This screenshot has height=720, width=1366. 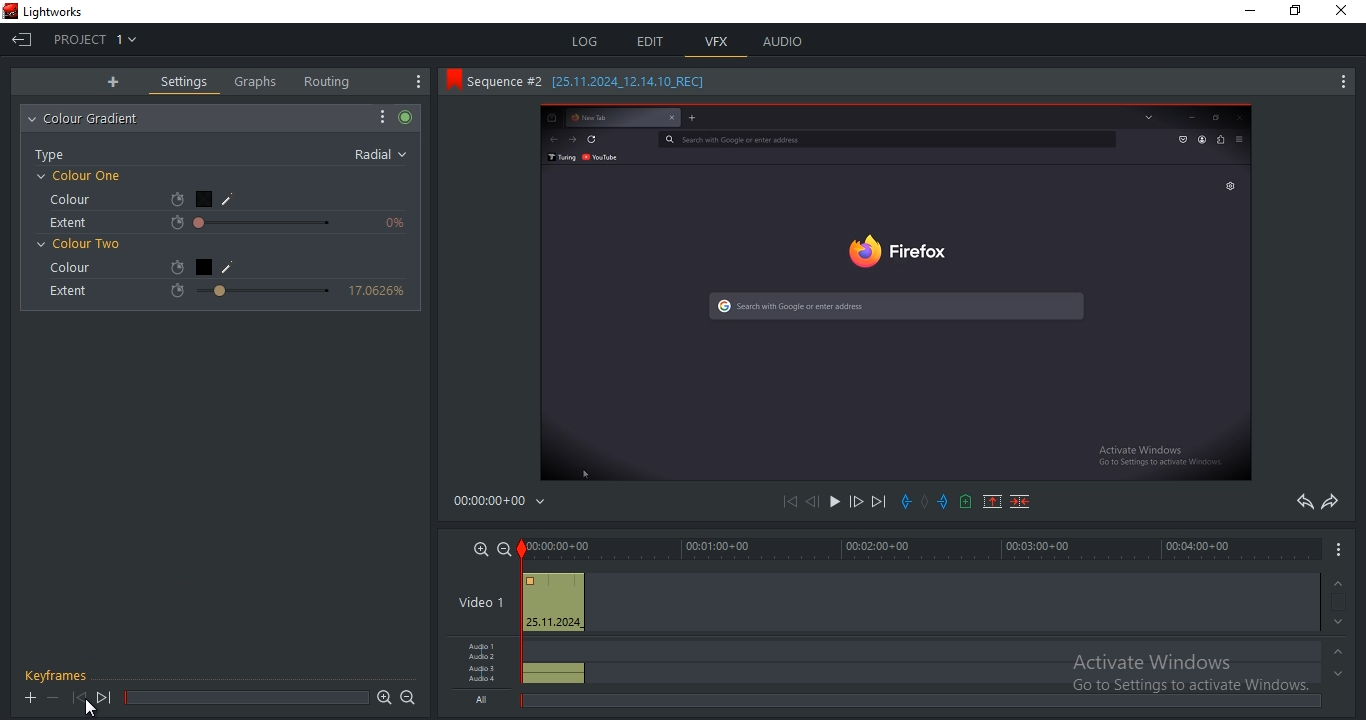 What do you see at coordinates (80, 698) in the screenshot?
I see `` at bounding box center [80, 698].